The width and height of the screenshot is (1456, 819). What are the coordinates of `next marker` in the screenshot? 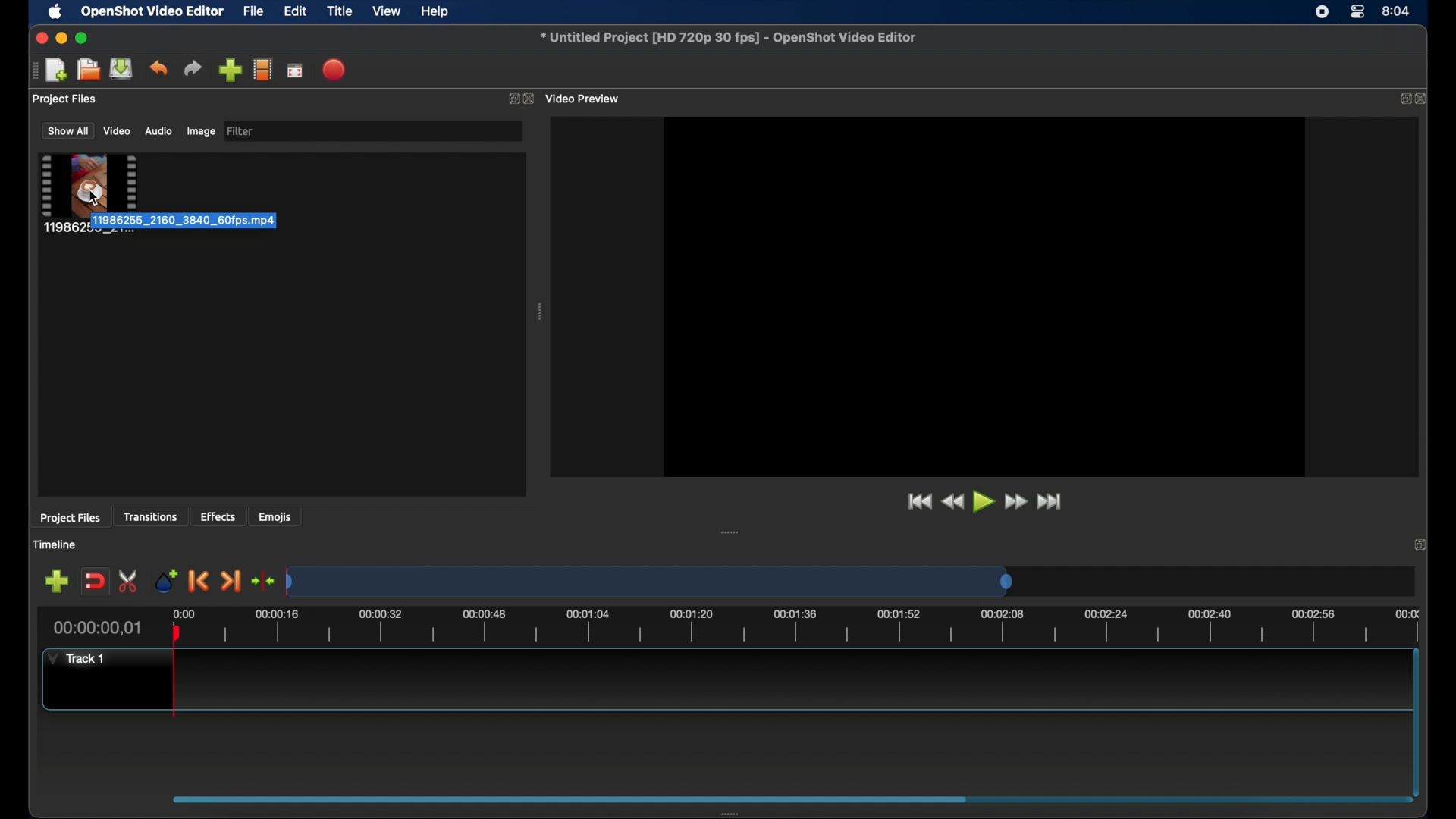 It's located at (231, 581).